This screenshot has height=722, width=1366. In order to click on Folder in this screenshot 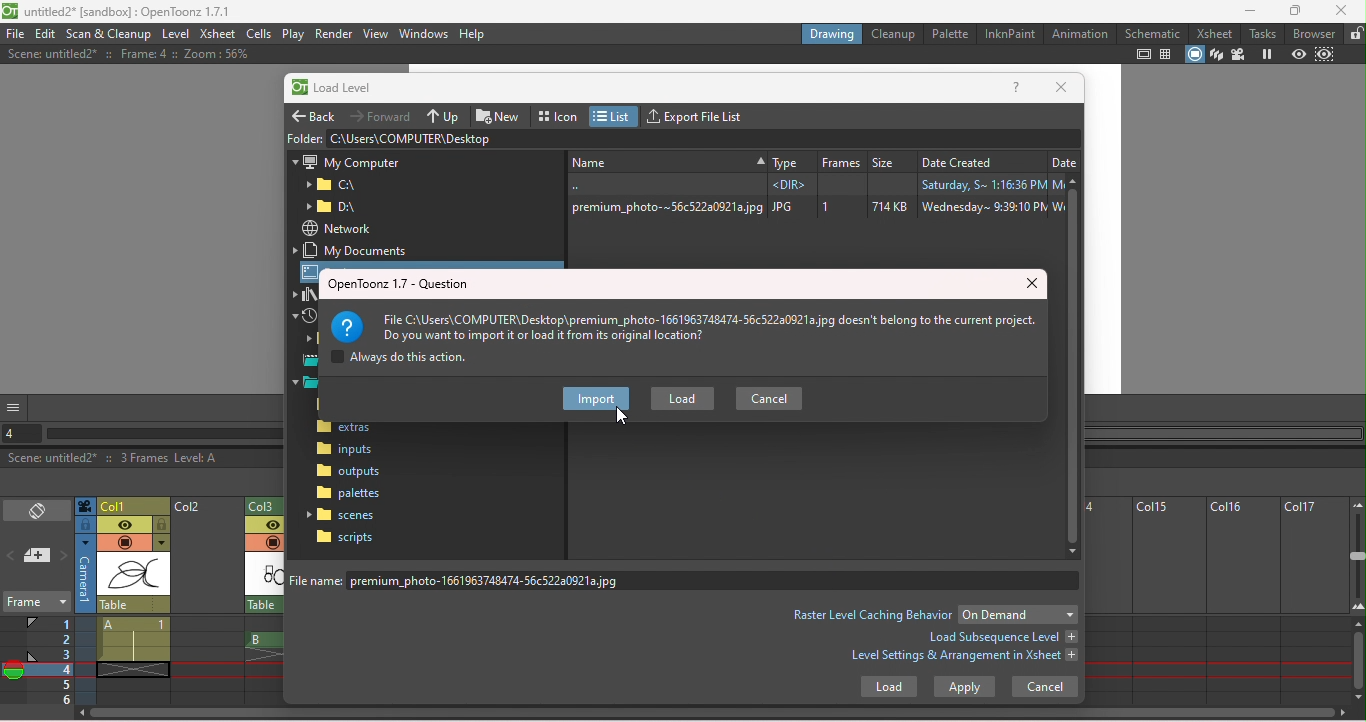, I will do `click(304, 137)`.